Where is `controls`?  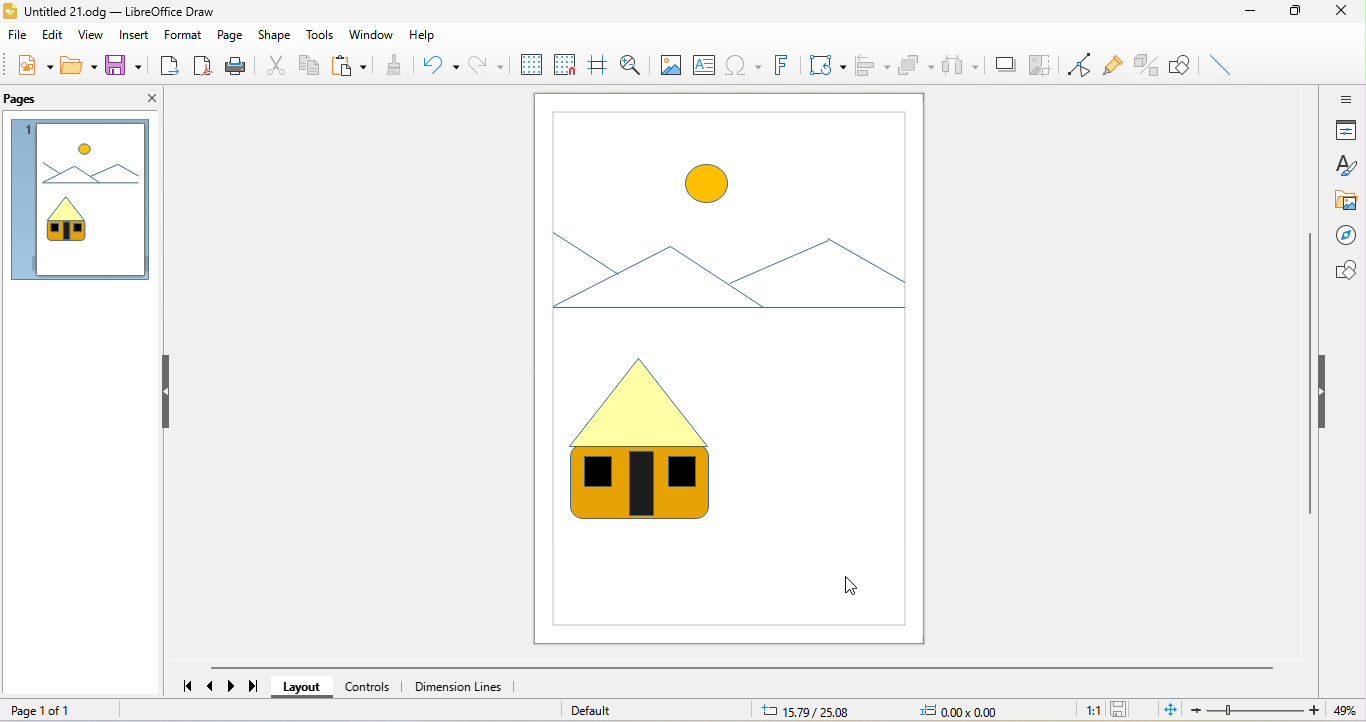
controls is located at coordinates (368, 686).